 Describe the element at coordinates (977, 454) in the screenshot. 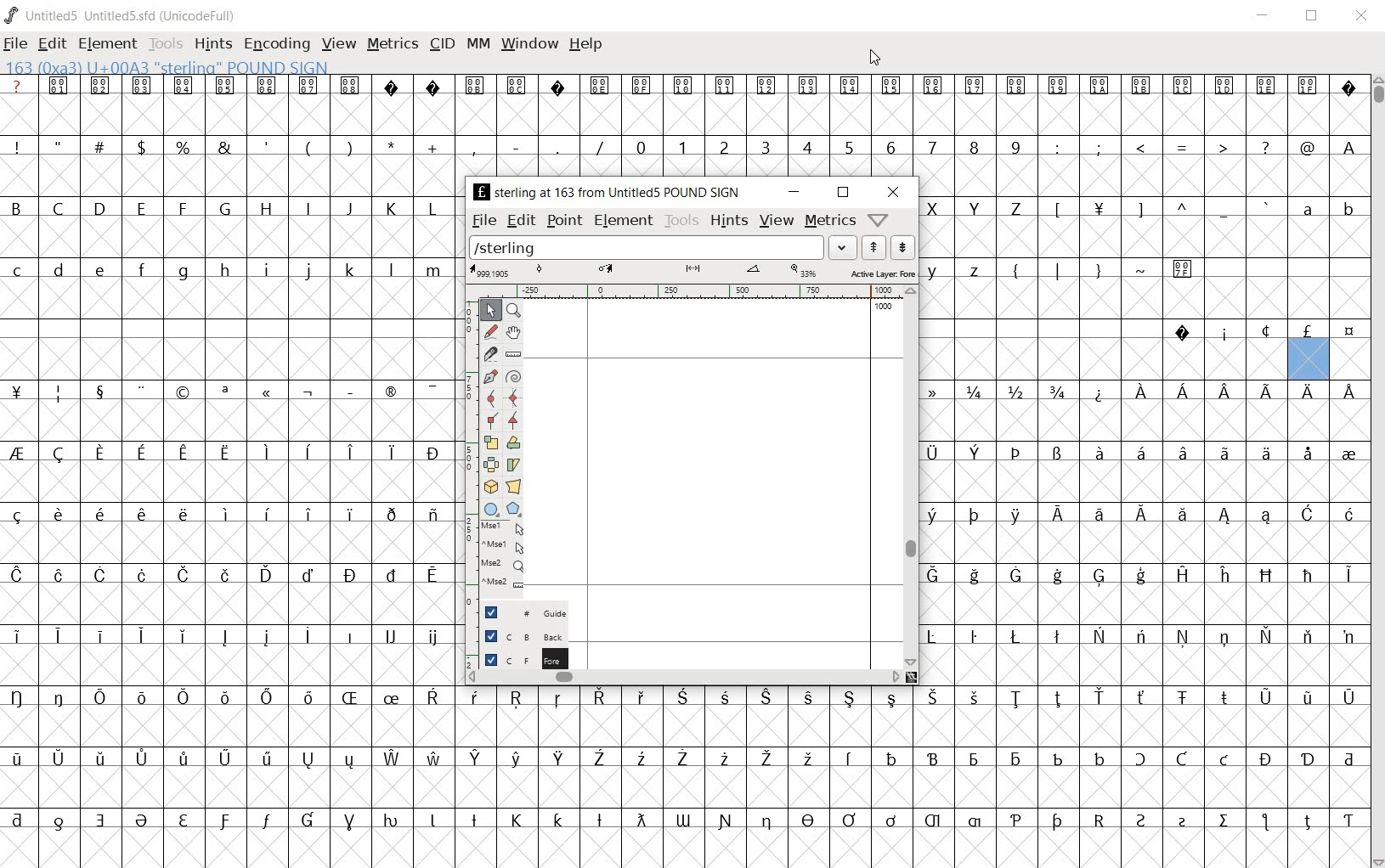

I see `Symbol` at that location.